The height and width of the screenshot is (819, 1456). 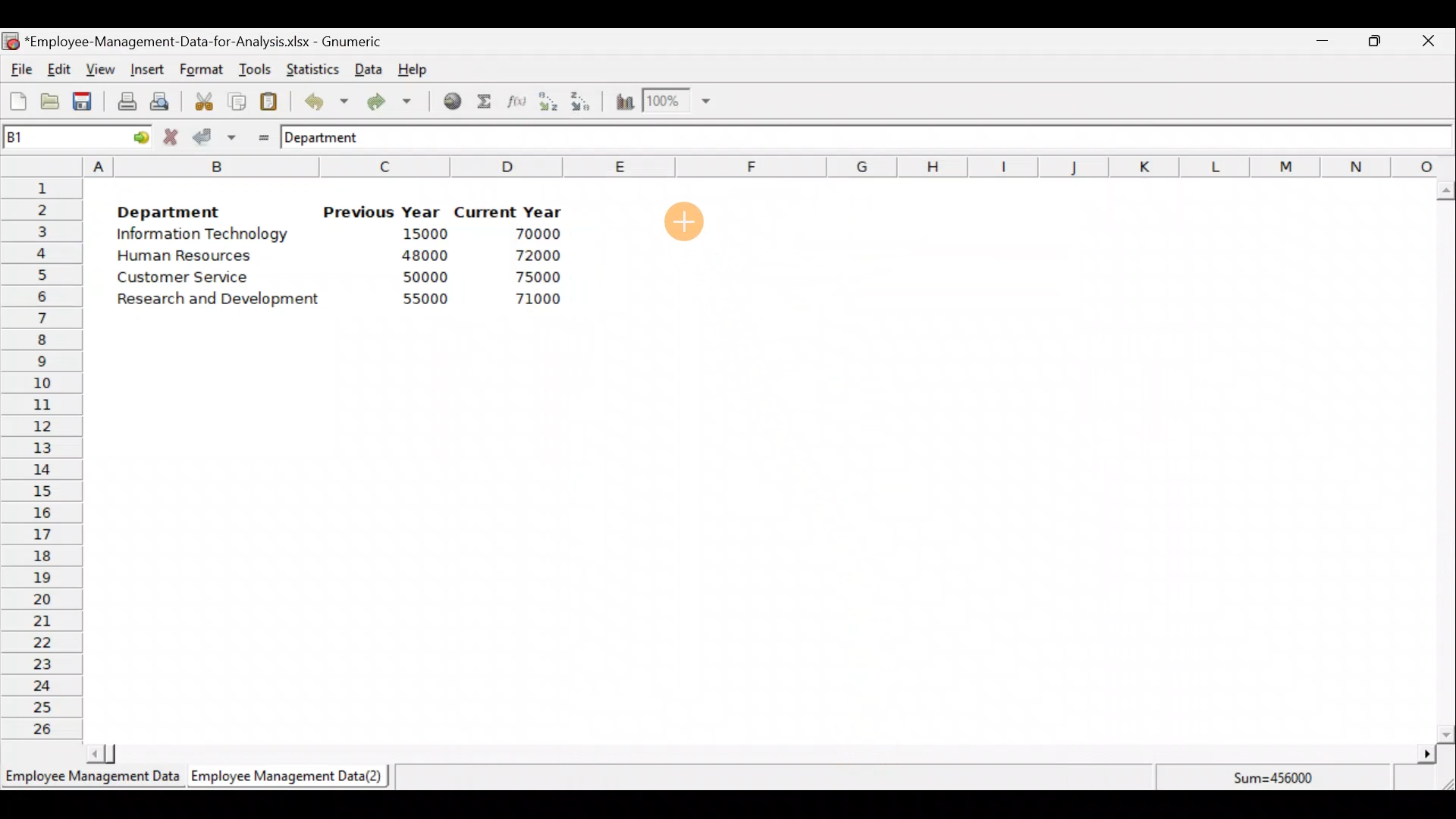 What do you see at coordinates (18, 101) in the screenshot?
I see `Create a new workbook` at bounding box center [18, 101].